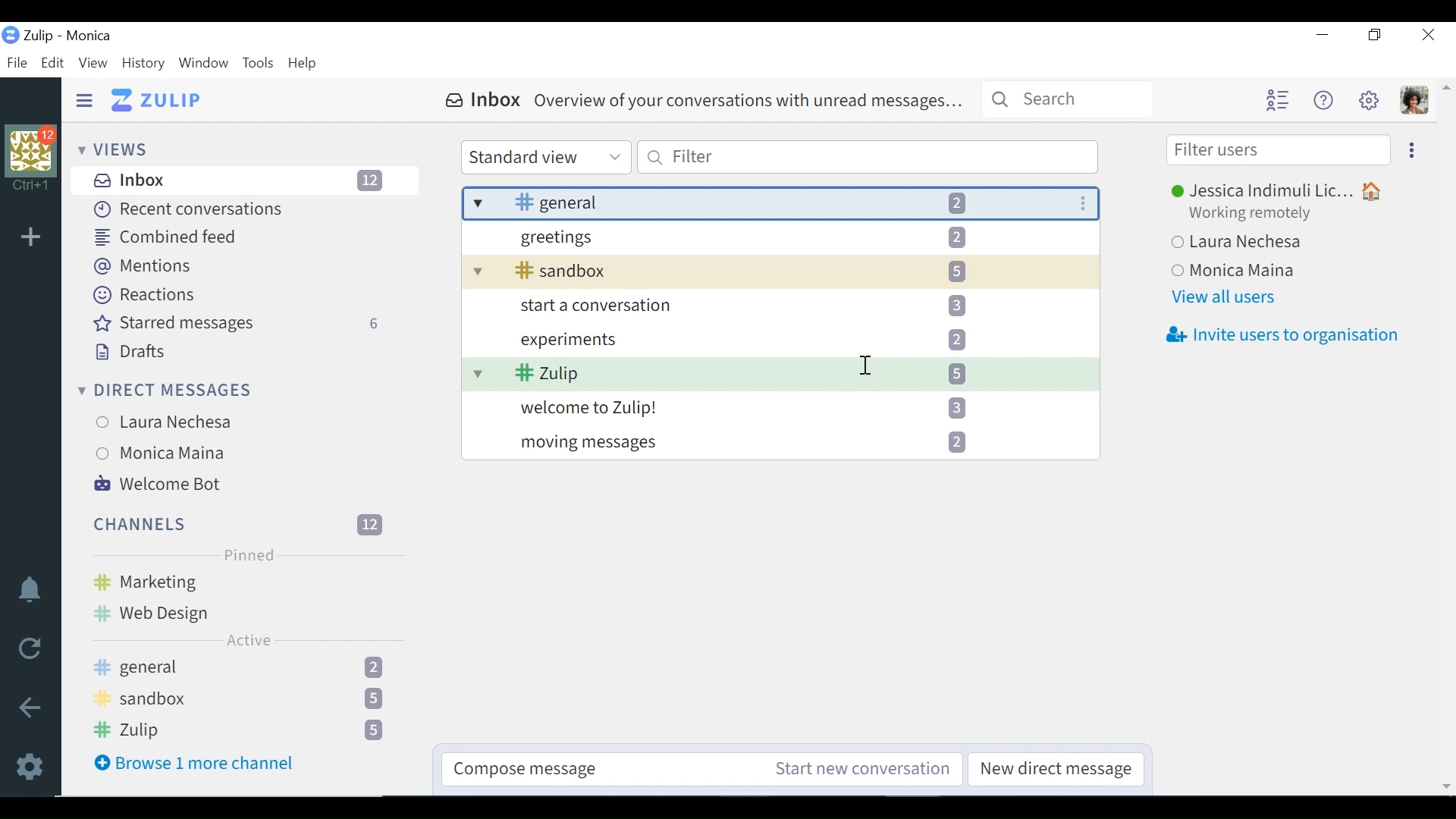 The image size is (1456, 819). Describe the element at coordinates (89, 36) in the screenshot. I see `Organisation name` at that location.